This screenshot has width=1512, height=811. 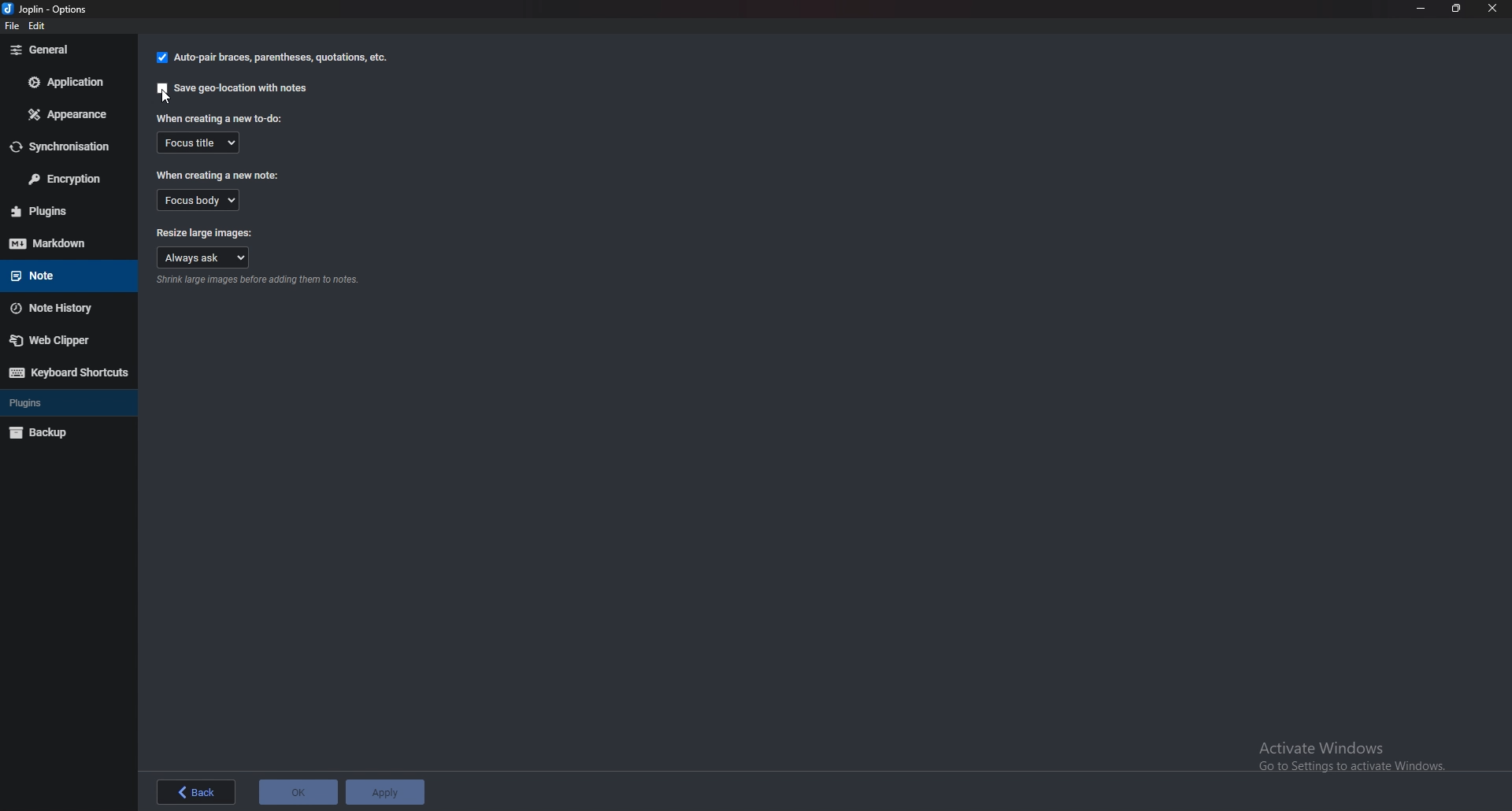 I want to click on auto pair braces, parenthesis, so click(x=269, y=61).